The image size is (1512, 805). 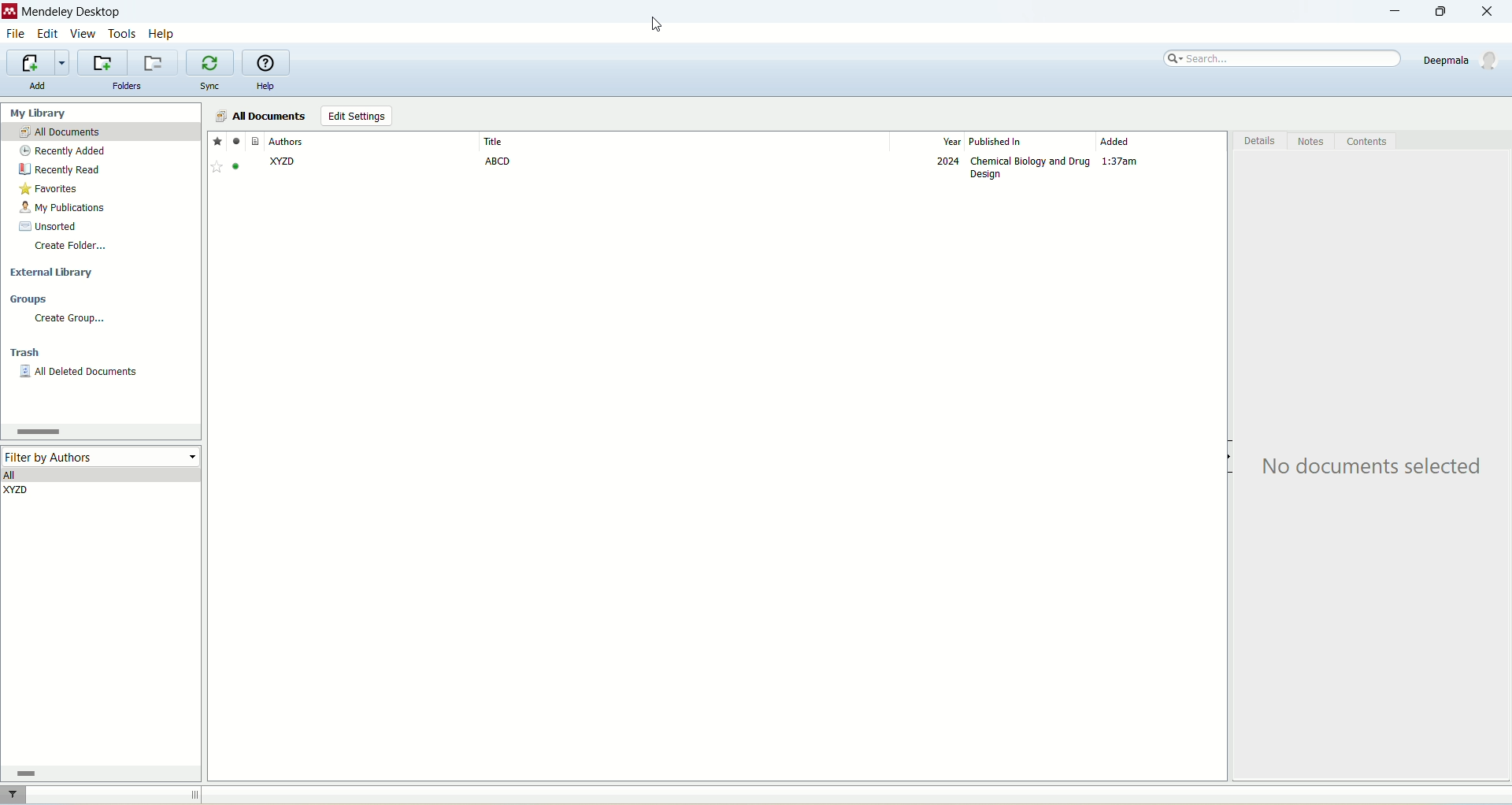 What do you see at coordinates (1162, 142) in the screenshot?
I see `added` at bounding box center [1162, 142].